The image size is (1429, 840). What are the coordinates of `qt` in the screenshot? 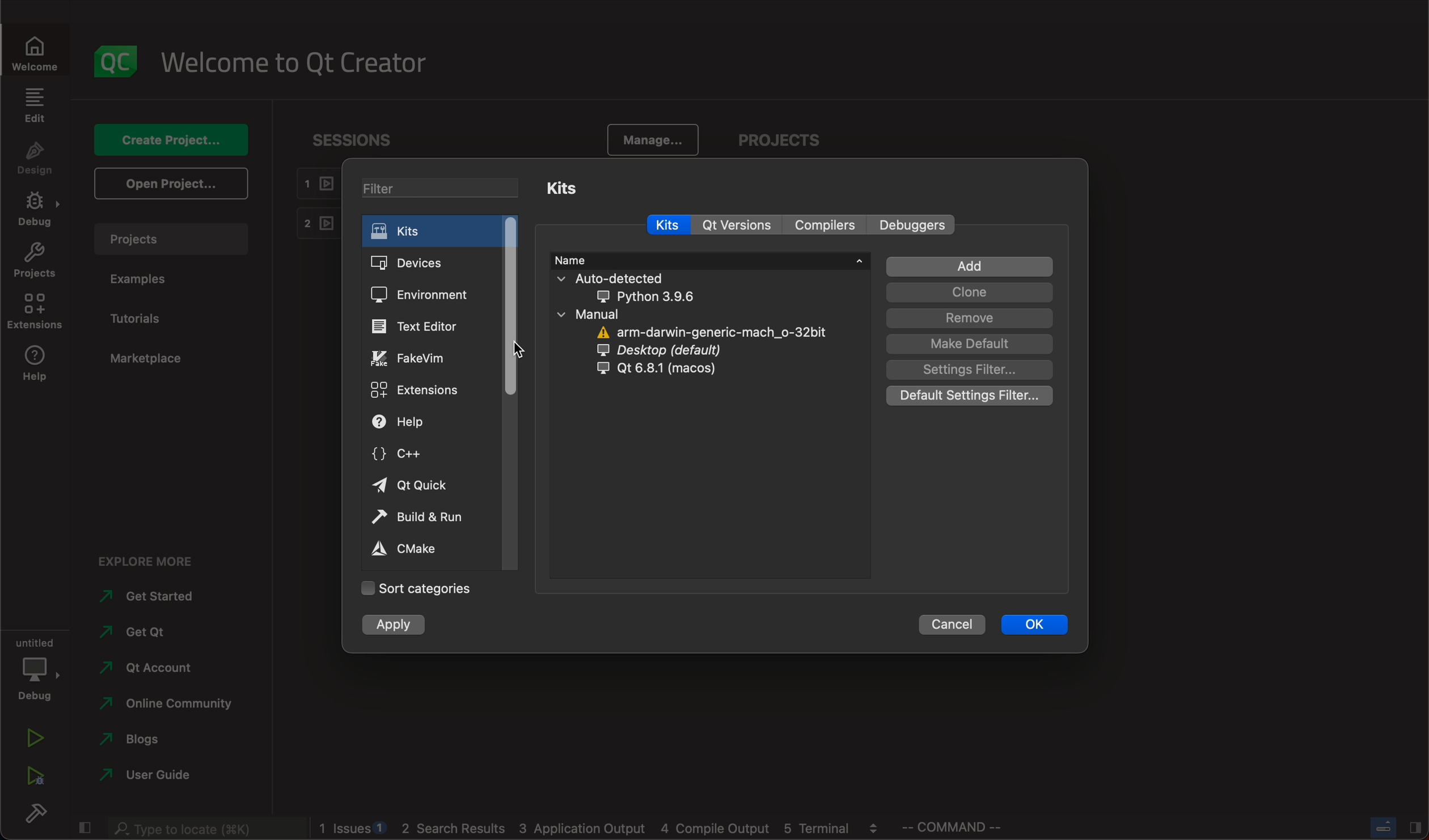 It's located at (145, 630).